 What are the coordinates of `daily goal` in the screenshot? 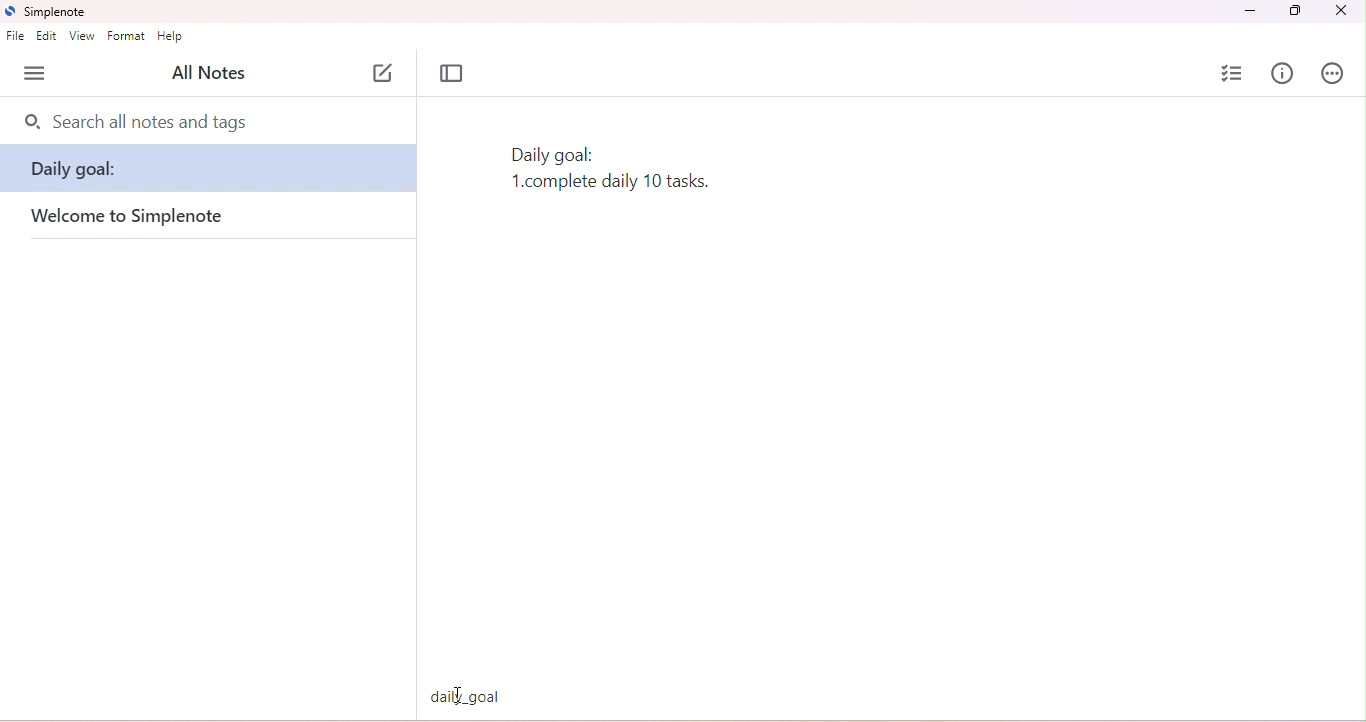 It's located at (210, 173).